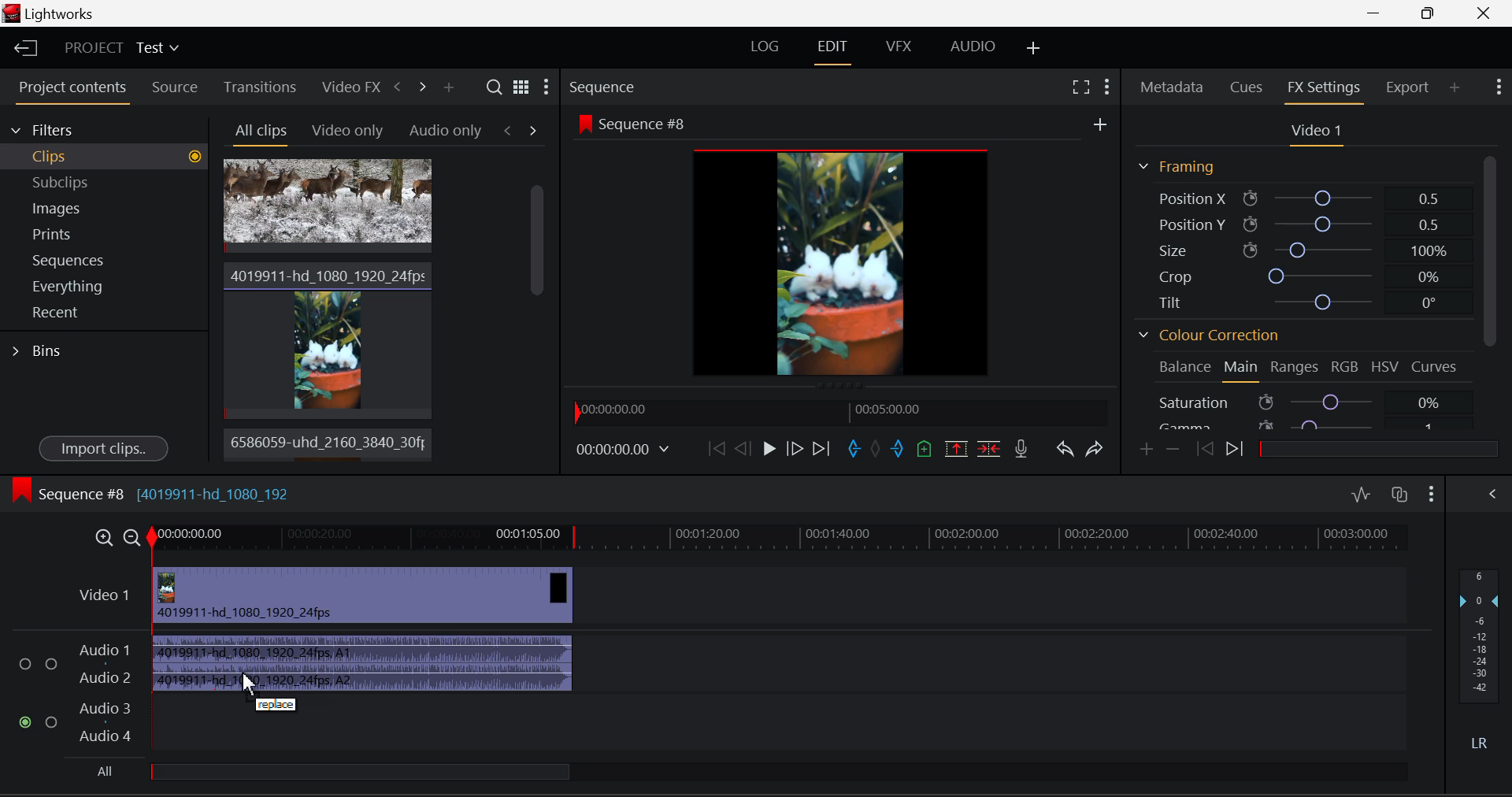 The height and width of the screenshot is (797, 1512). I want to click on Subclips, so click(105, 182).